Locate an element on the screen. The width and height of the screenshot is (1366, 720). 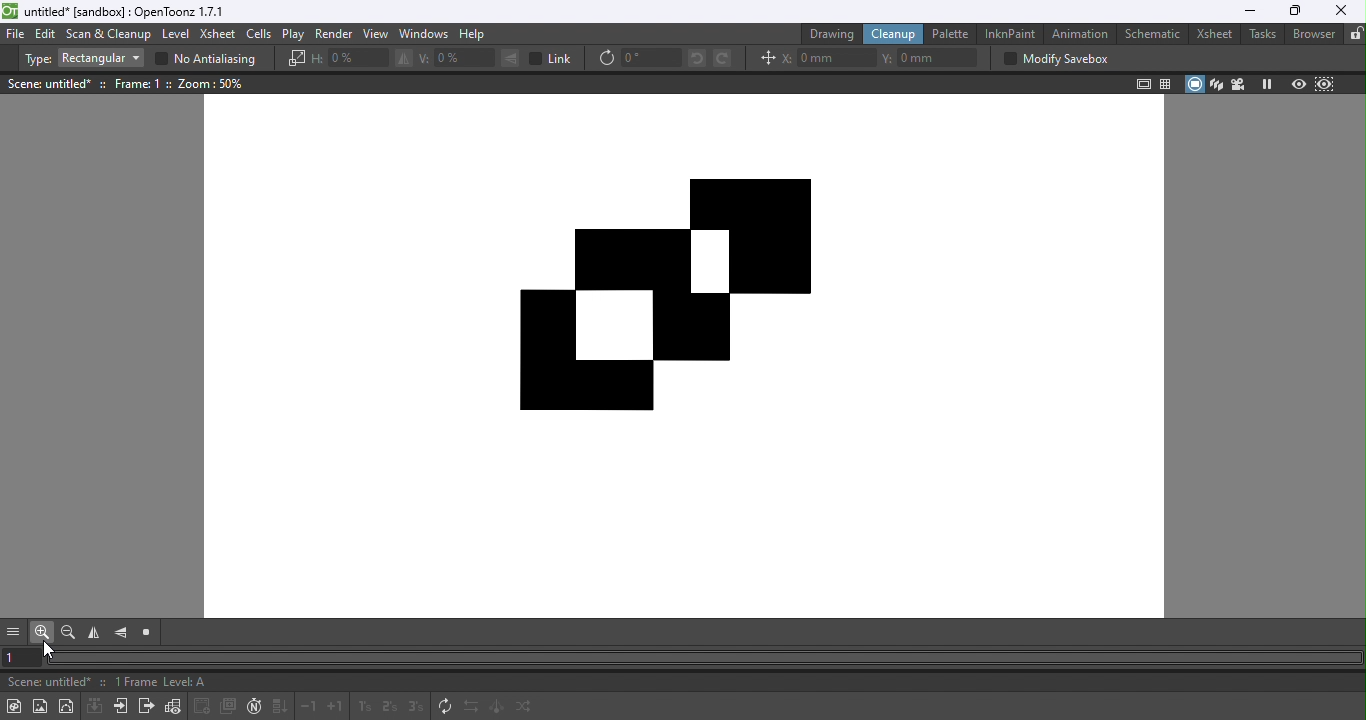
3D view is located at coordinates (1217, 83).